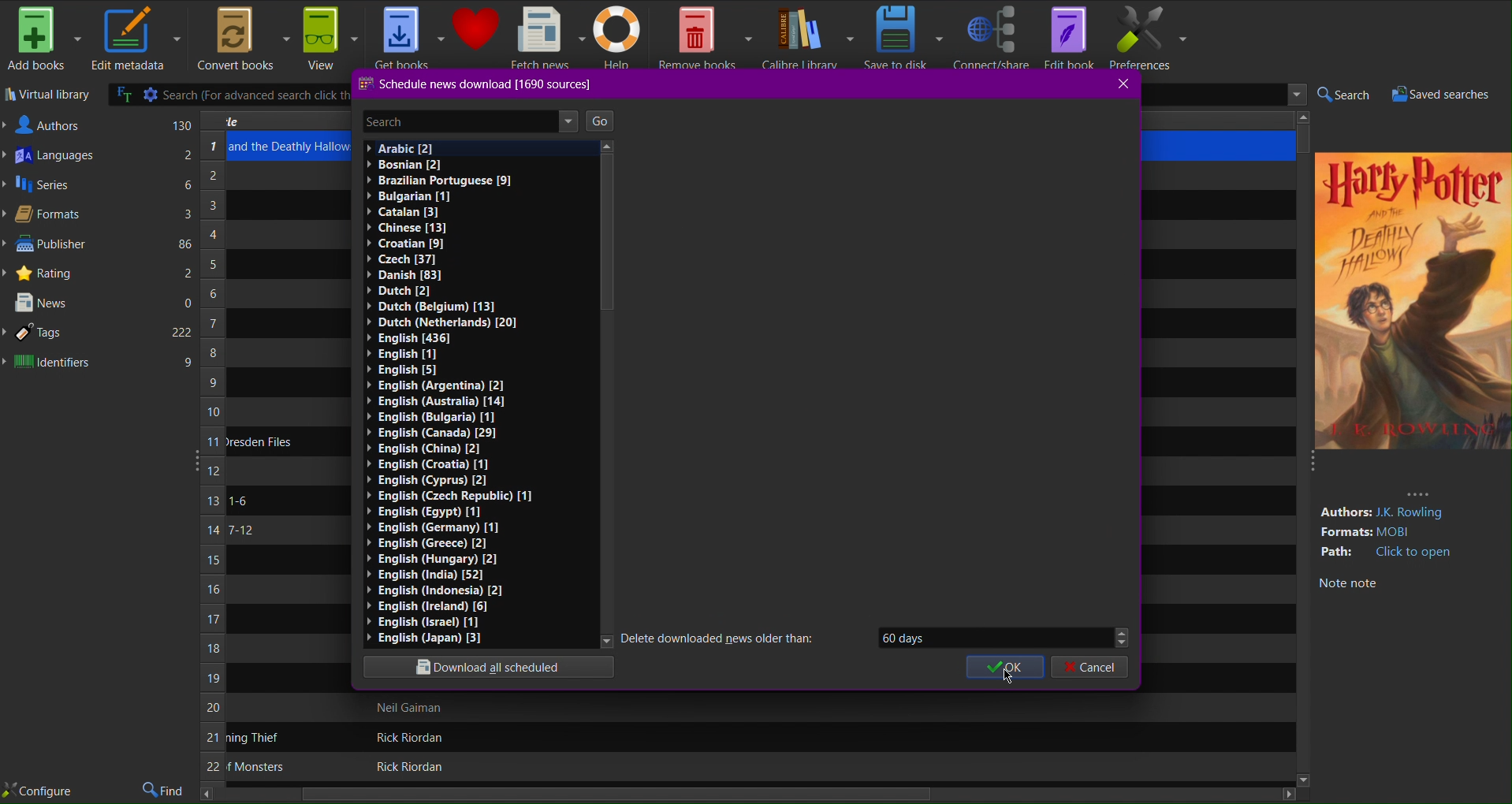  What do you see at coordinates (749, 795) in the screenshot?
I see `Scrollbar` at bounding box center [749, 795].